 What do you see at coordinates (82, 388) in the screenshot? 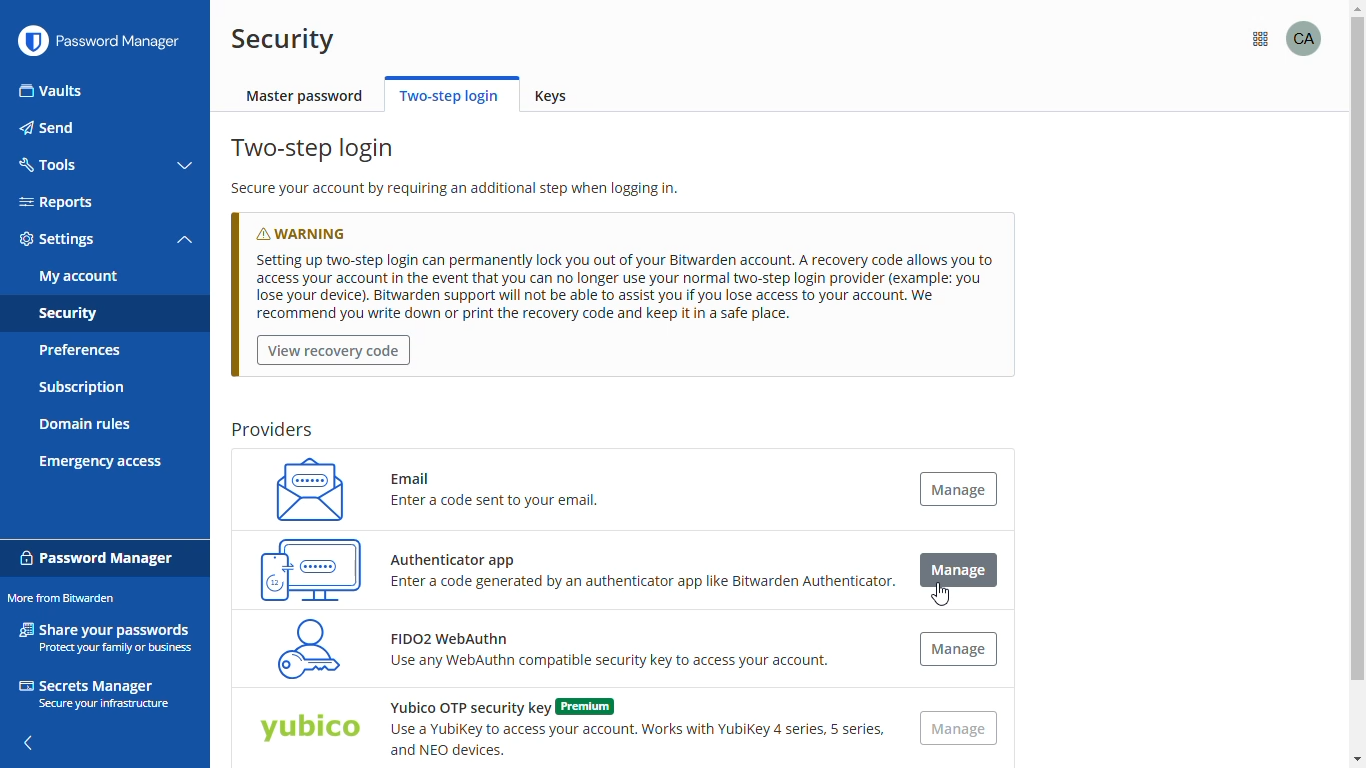
I see `subscription` at bounding box center [82, 388].